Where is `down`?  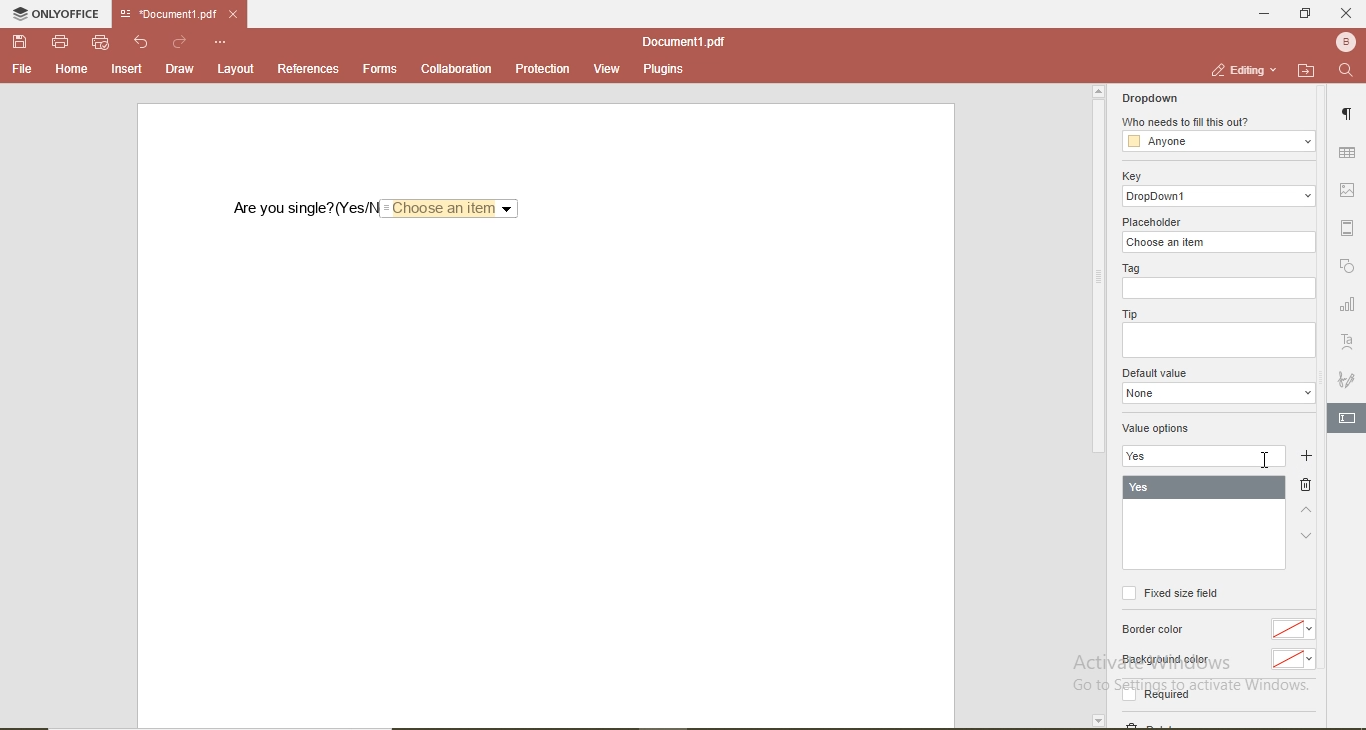 down is located at coordinates (1304, 541).